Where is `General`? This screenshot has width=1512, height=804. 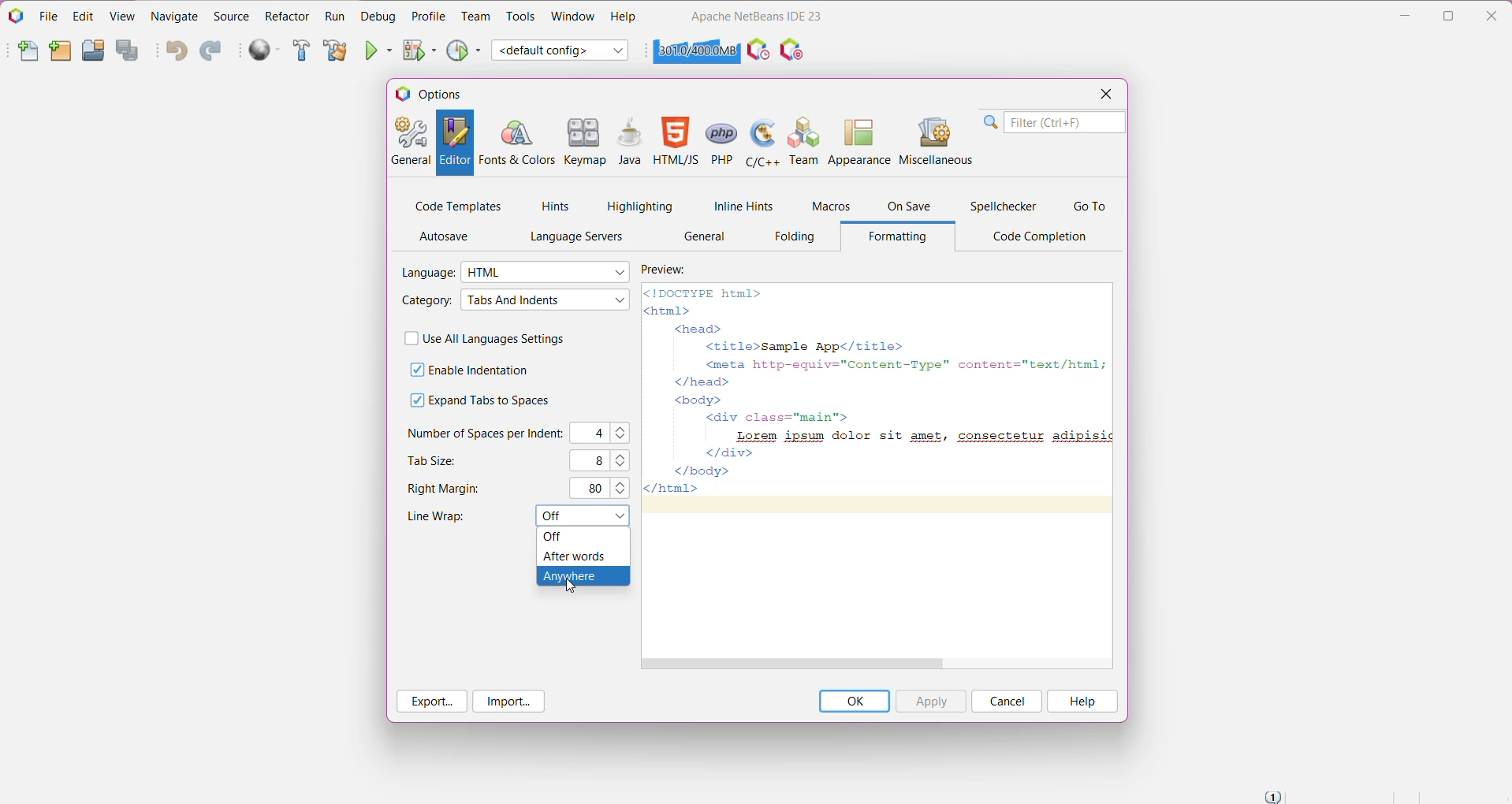 General is located at coordinates (706, 238).